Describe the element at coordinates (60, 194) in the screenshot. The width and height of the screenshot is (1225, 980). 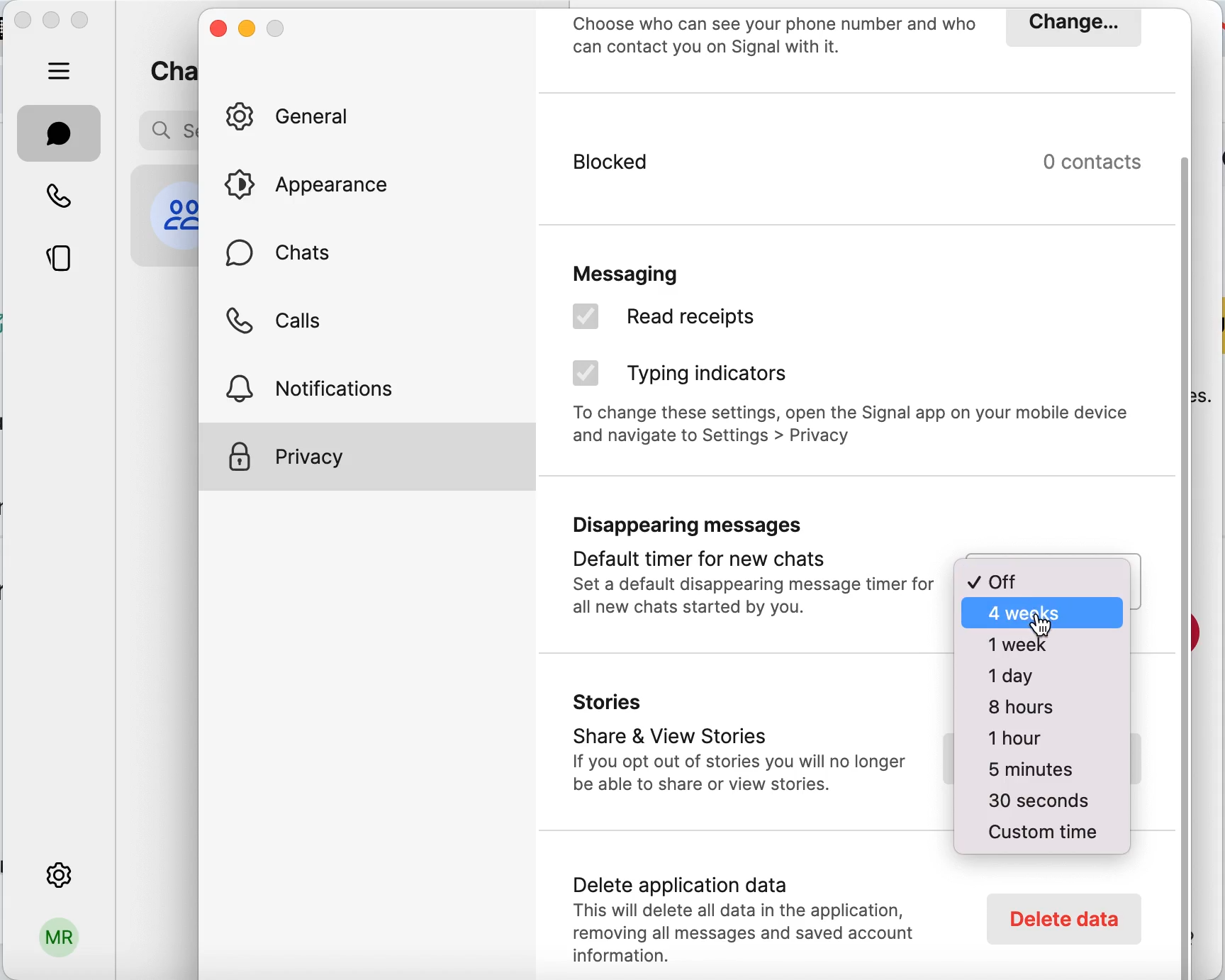
I see `call` at that location.